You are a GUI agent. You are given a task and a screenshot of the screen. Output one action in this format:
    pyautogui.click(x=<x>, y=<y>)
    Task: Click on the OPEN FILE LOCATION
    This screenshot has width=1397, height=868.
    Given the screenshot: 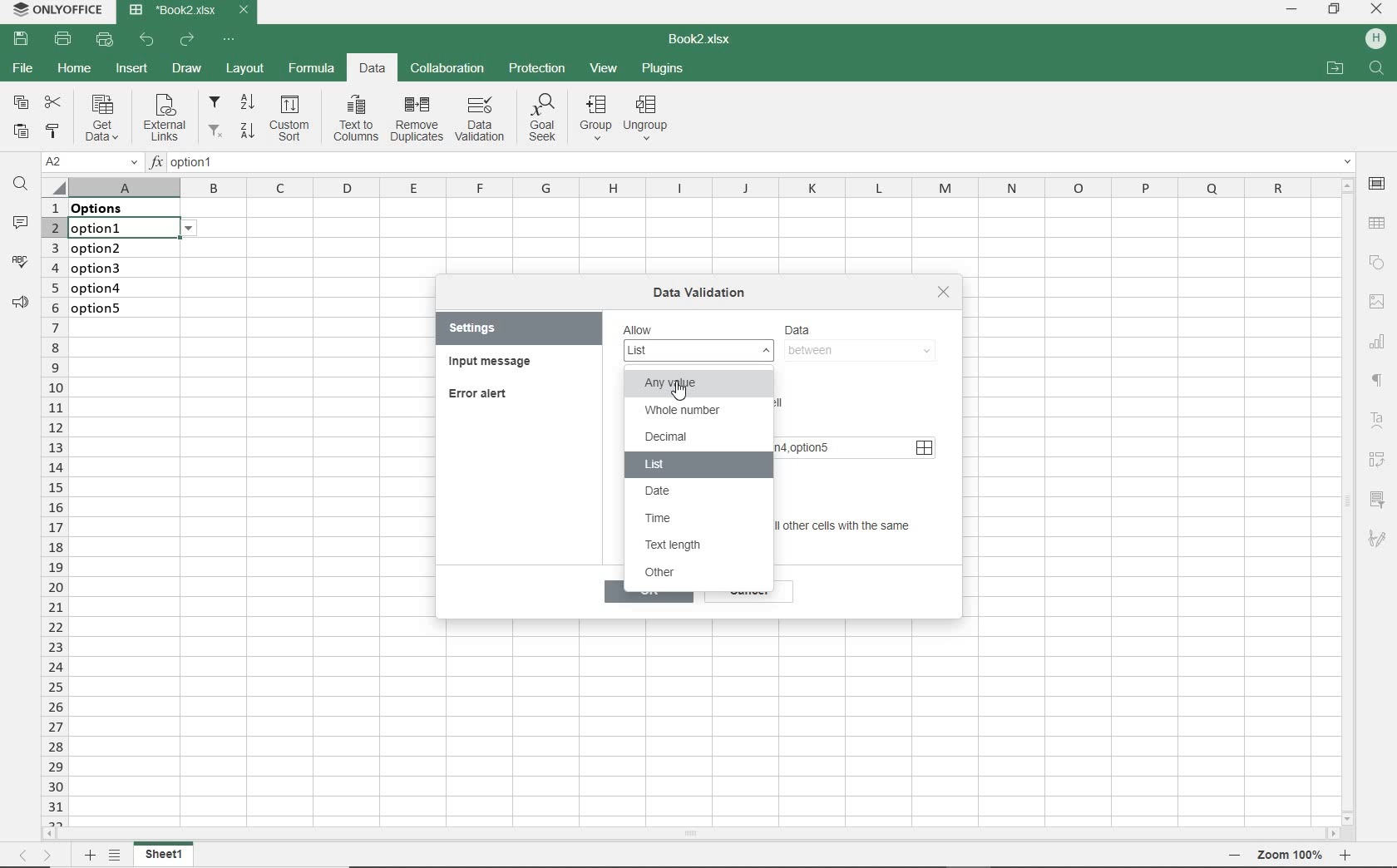 What is the action you would take?
    pyautogui.click(x=1335, y=67)
    